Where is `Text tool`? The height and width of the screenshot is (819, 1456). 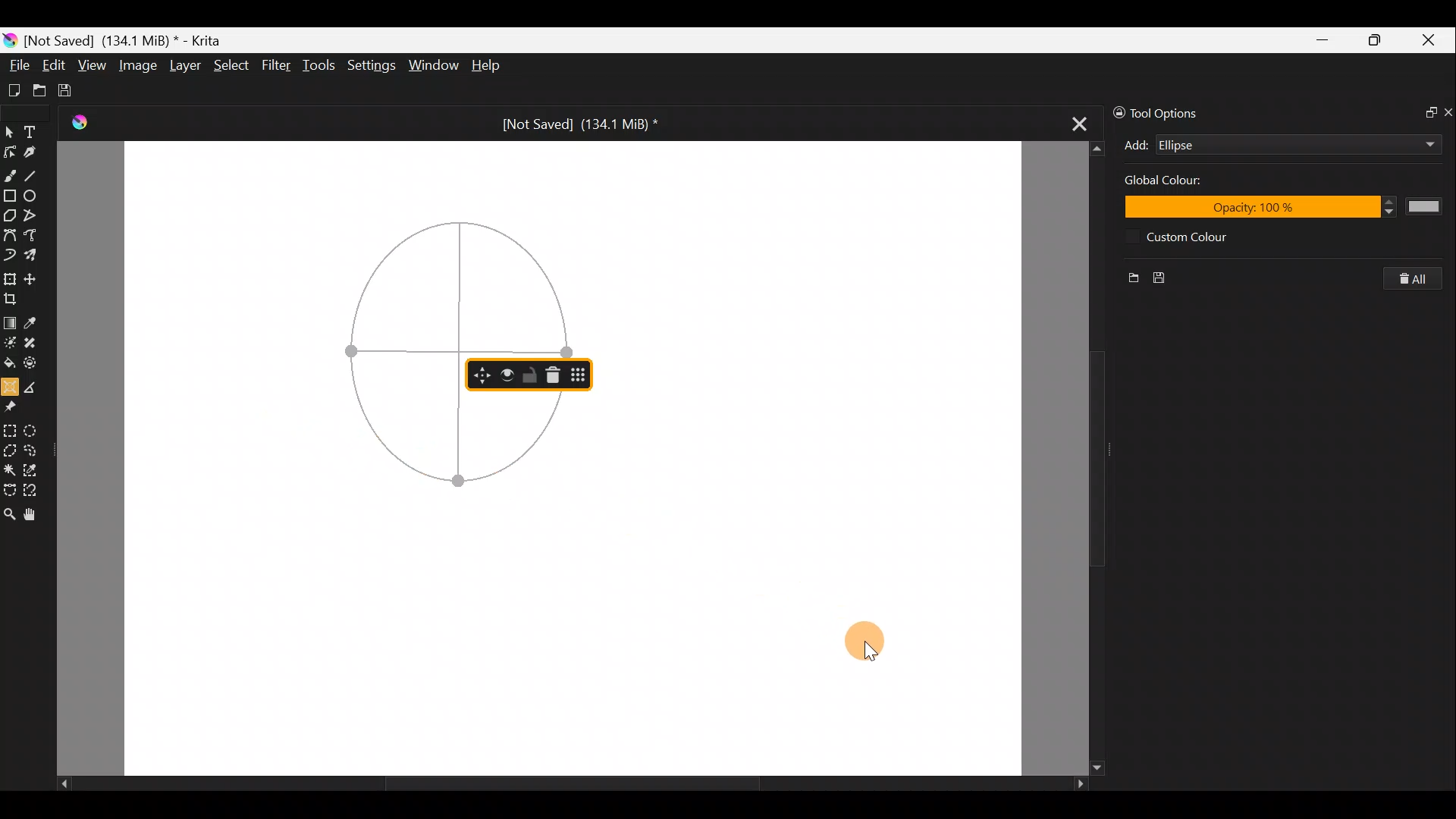 Text tool is located at coordinates (33, 129).